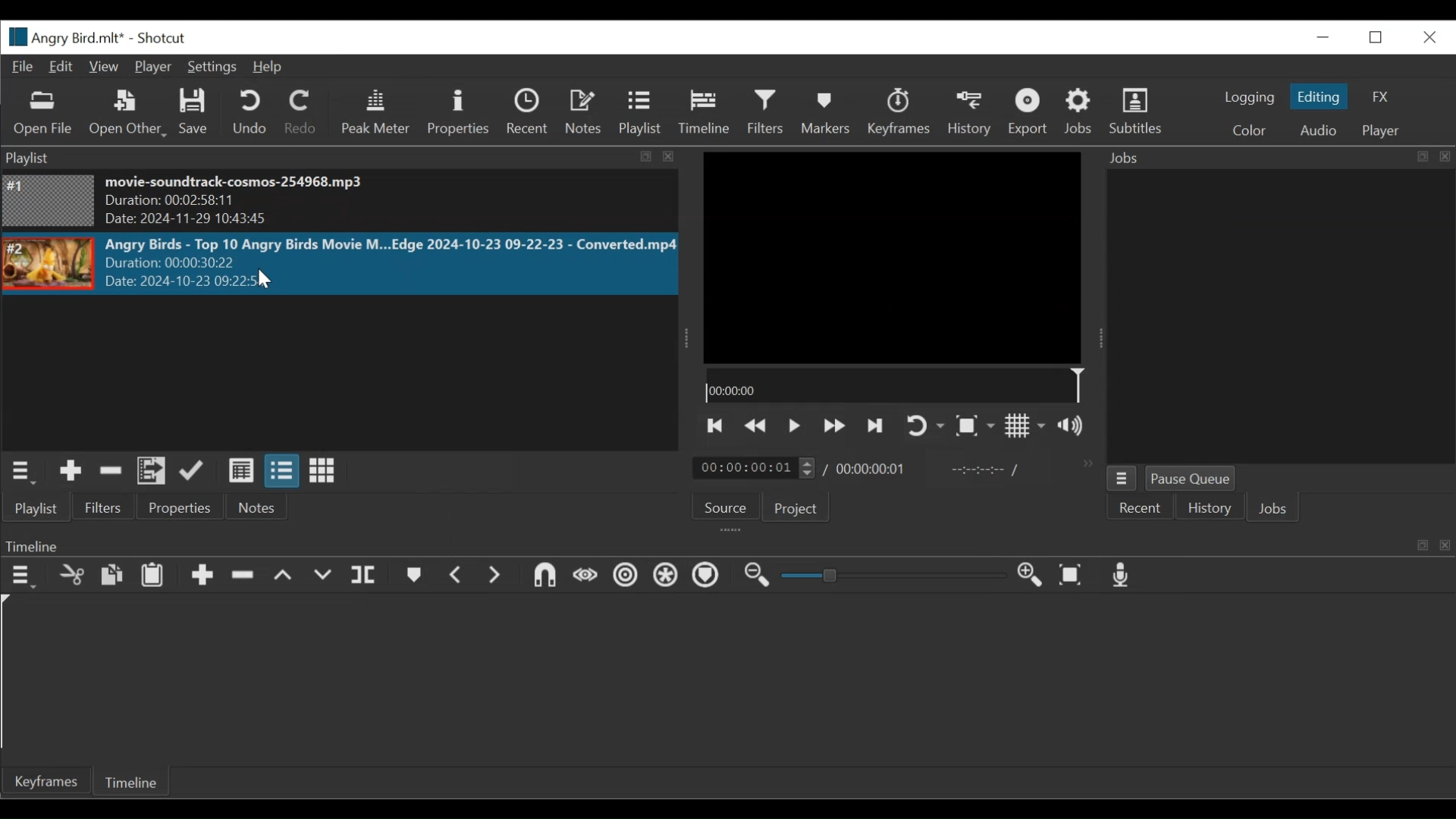 This screenshot has height=819, width=1456. I want to click on Audio, so click(1319, 130).